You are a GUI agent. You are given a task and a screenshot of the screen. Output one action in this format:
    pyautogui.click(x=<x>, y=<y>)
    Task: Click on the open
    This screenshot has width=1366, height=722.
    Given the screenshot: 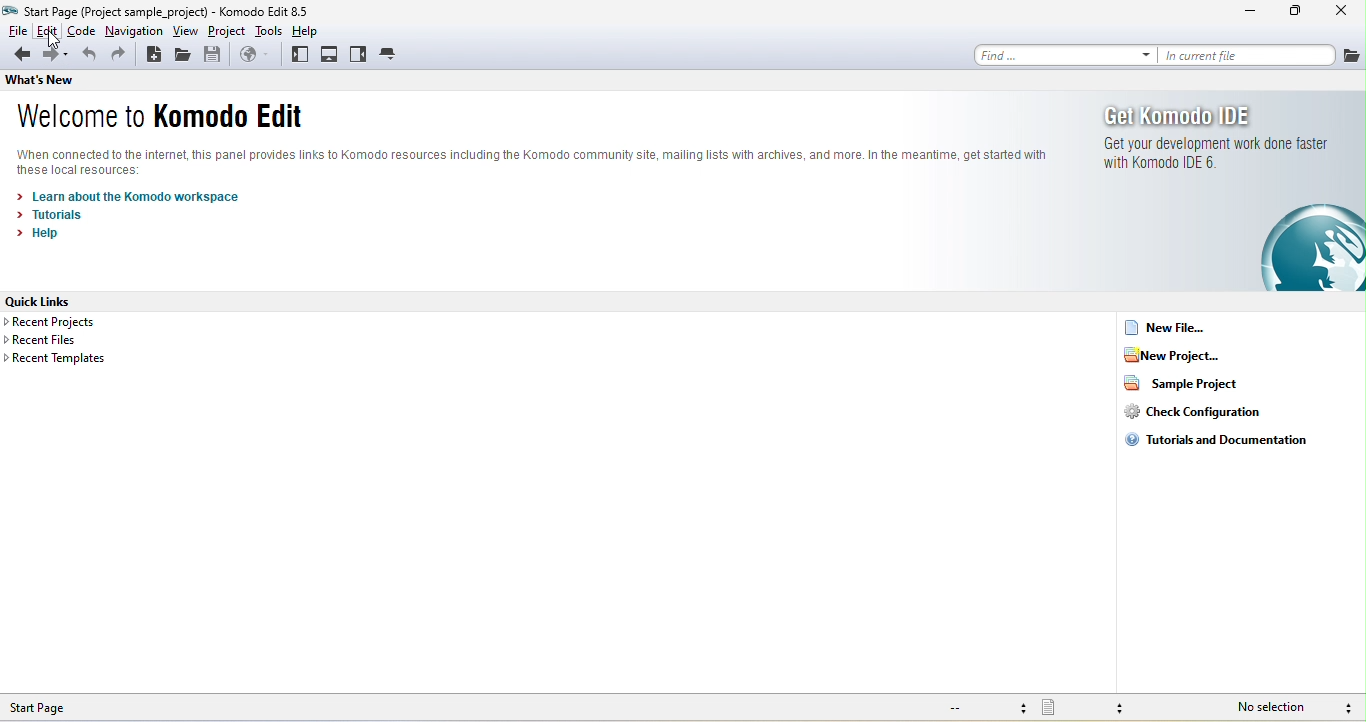 What is the action you would take?
    pyautogui.click(x=183, y=58)
    